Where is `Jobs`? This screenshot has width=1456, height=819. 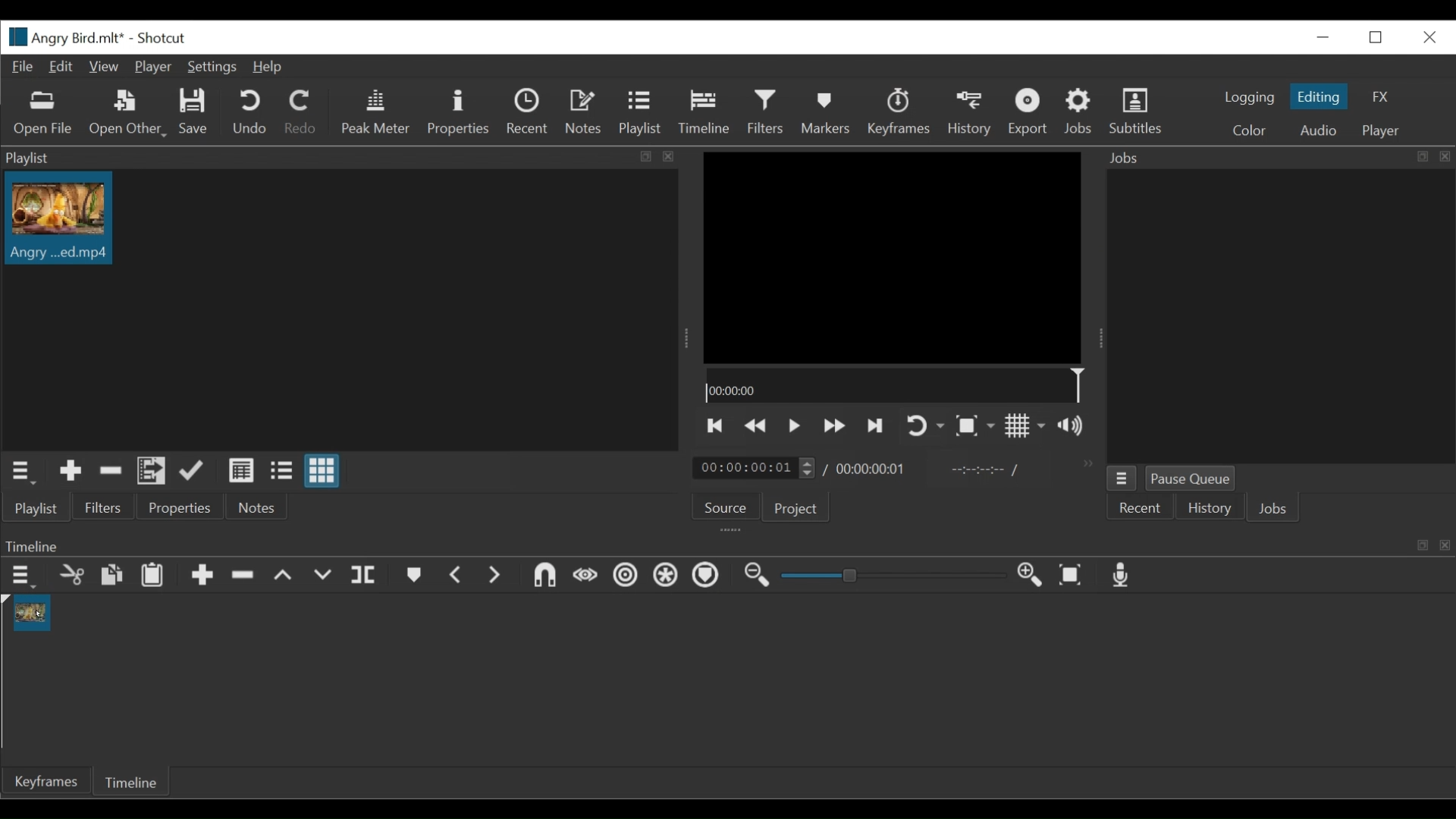 Jobs is located at coordinates (1278, 156).